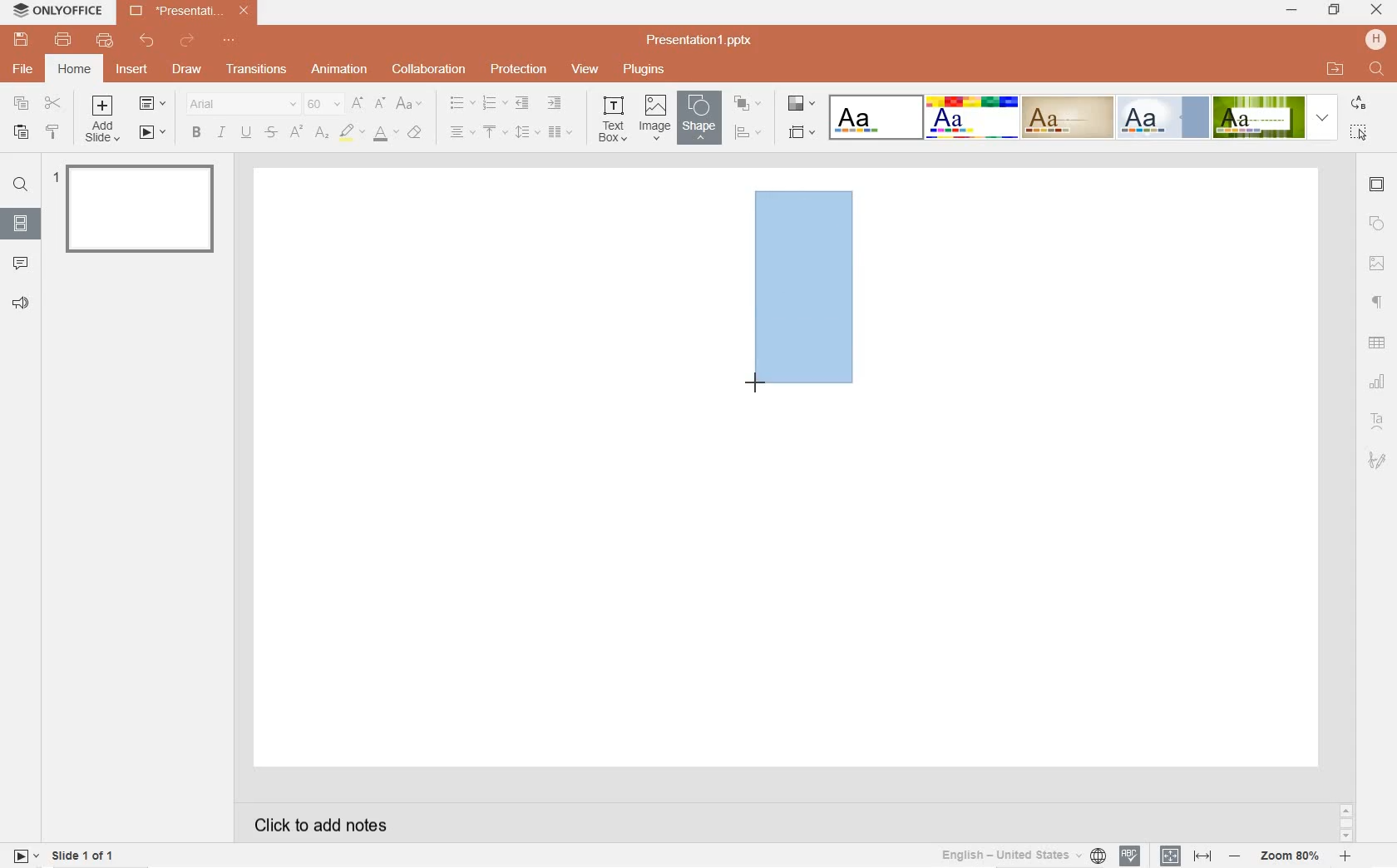 This screenshot has width=1397, height=868. Describe the element at coordinates (1378, 70) in the screenshot. I see `FIND` at that location.